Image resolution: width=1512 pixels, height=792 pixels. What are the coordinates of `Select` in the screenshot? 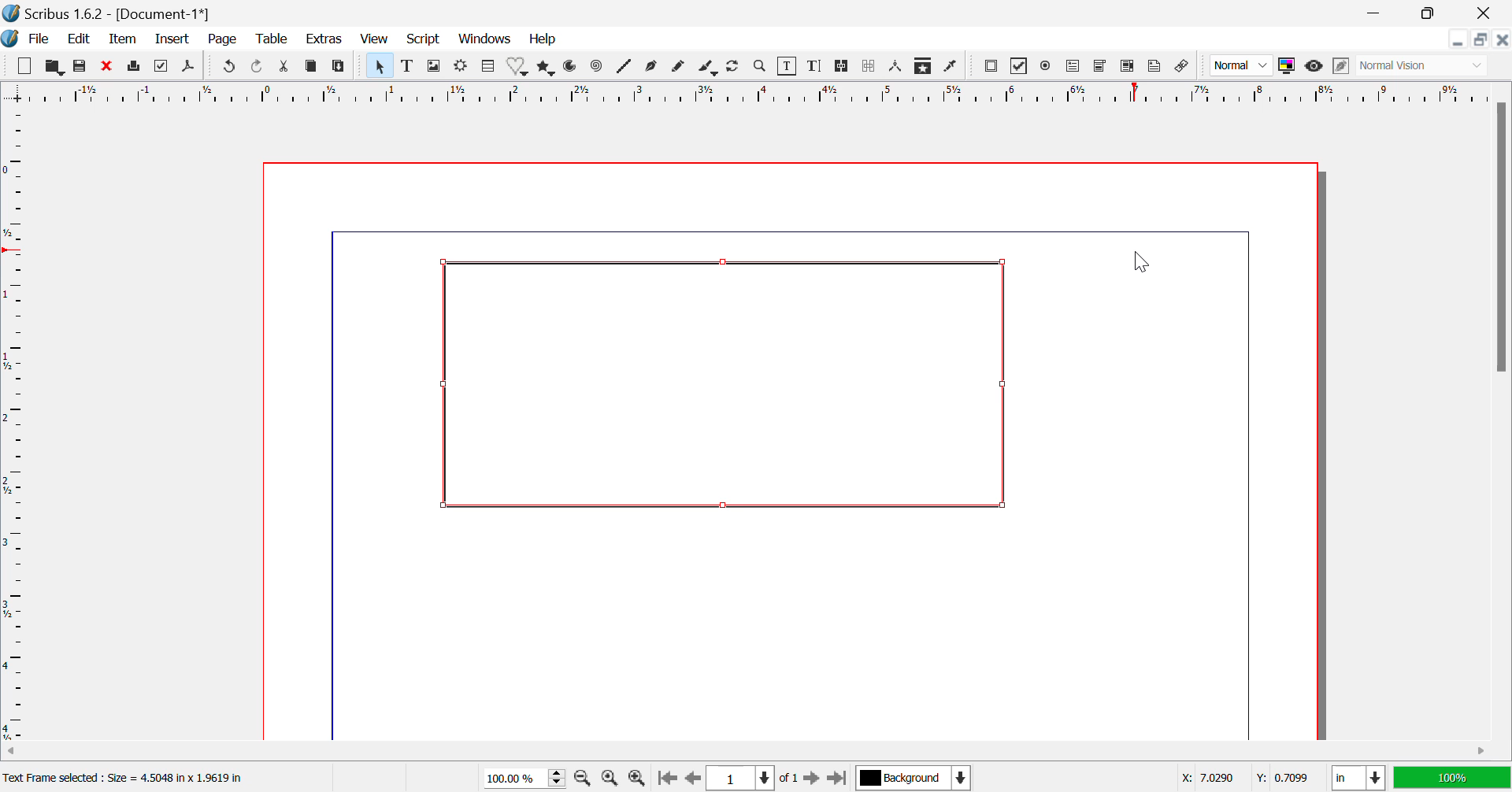 It's located at (379, 65).